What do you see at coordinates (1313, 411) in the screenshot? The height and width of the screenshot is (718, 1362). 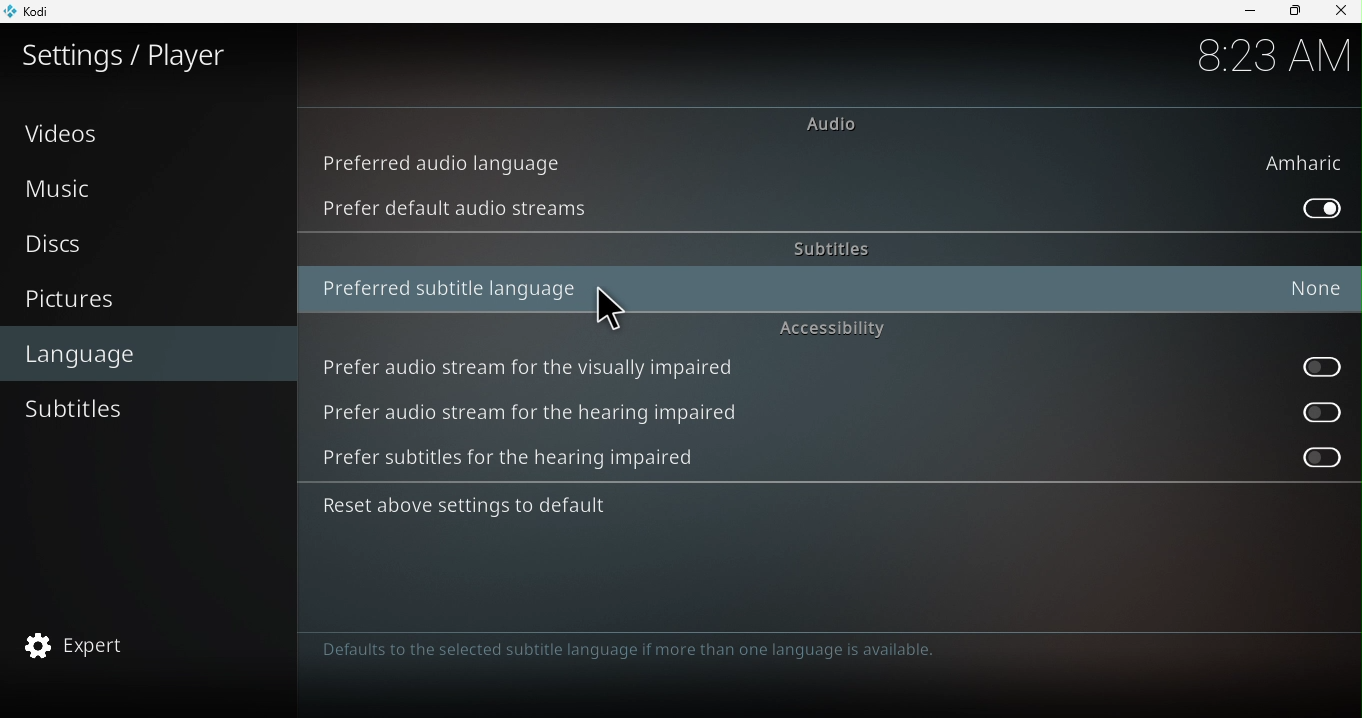 I see `Prefer audio stream for the hearing impaired` at bounding box center [1313, 411].